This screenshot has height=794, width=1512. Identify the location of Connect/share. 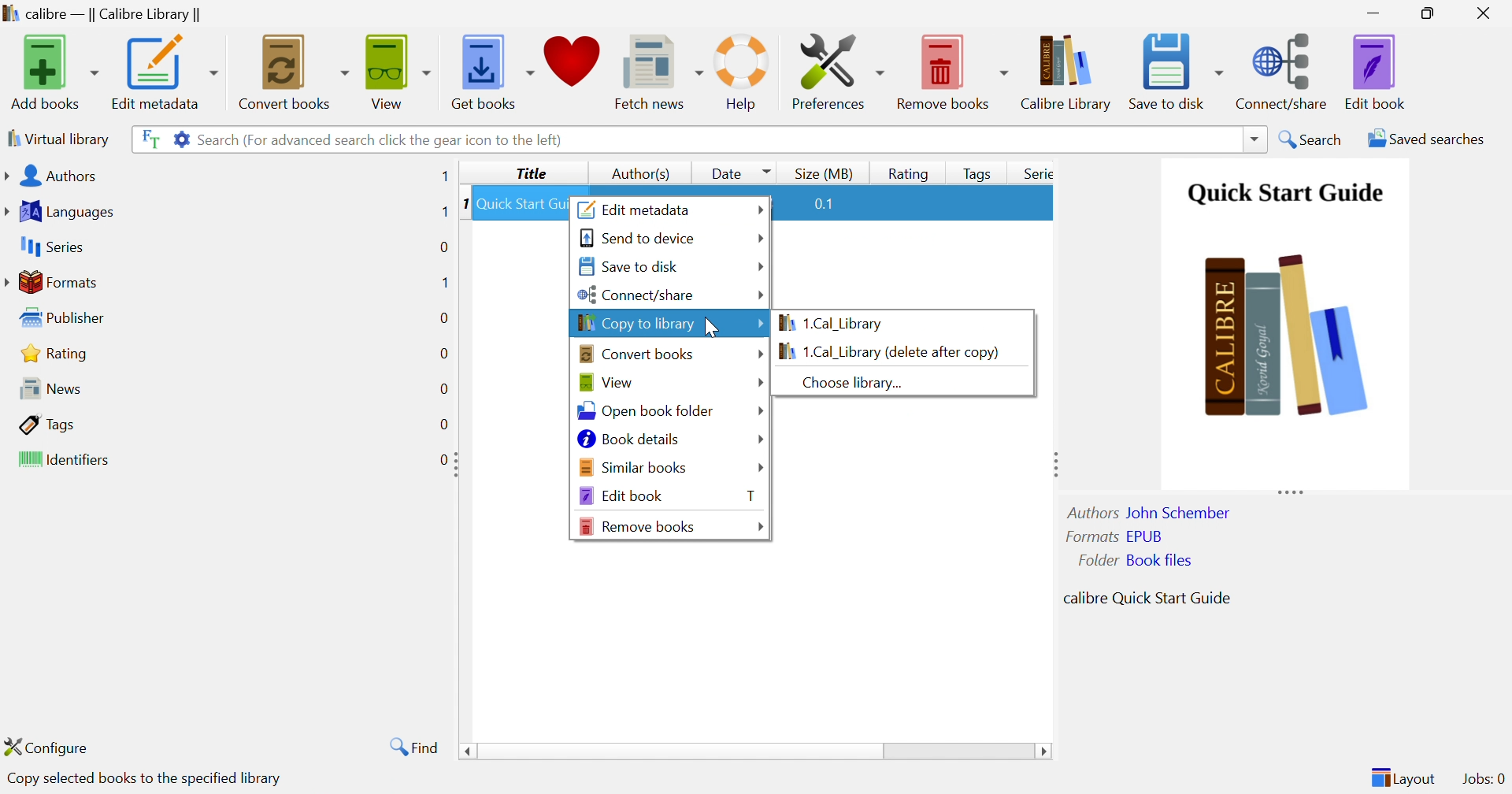
(637, 293).